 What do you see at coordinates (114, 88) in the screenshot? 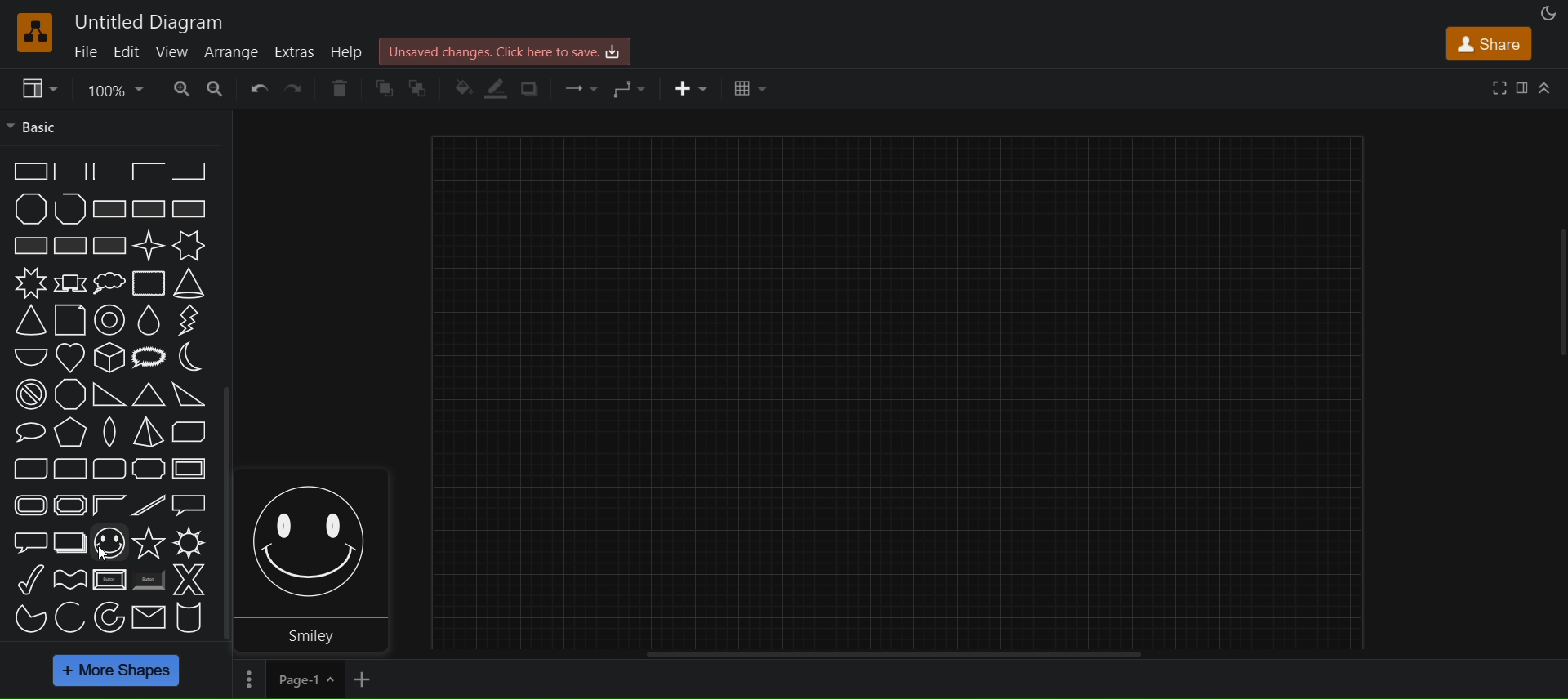
I see `zoom` at bounding box center [114, 88].